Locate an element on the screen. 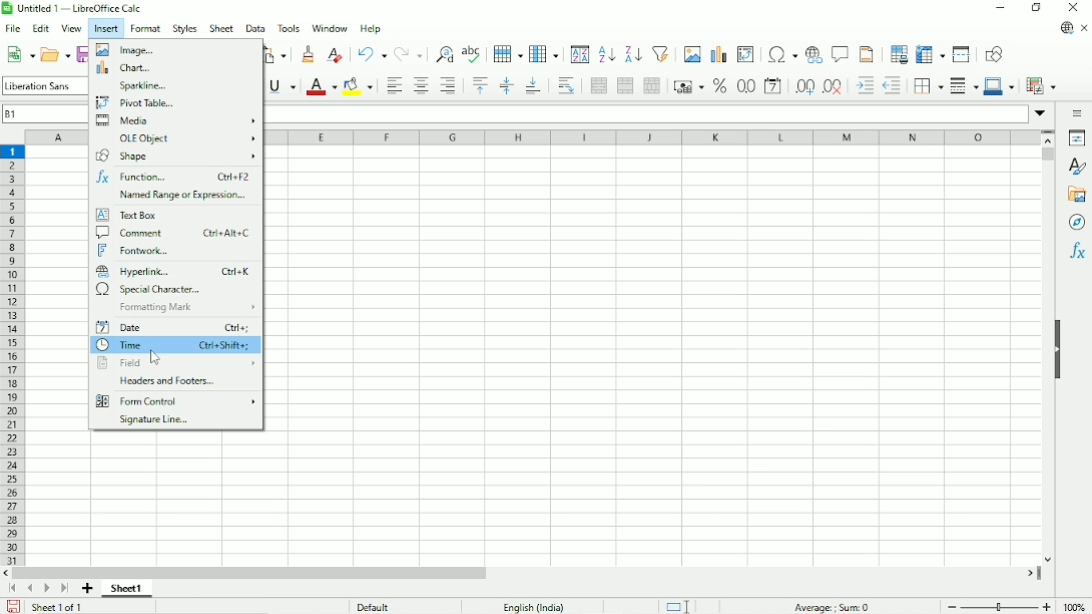 The height and width of the screenshot is (614, 1092). Align bottom is located at coordinates (534, 86).